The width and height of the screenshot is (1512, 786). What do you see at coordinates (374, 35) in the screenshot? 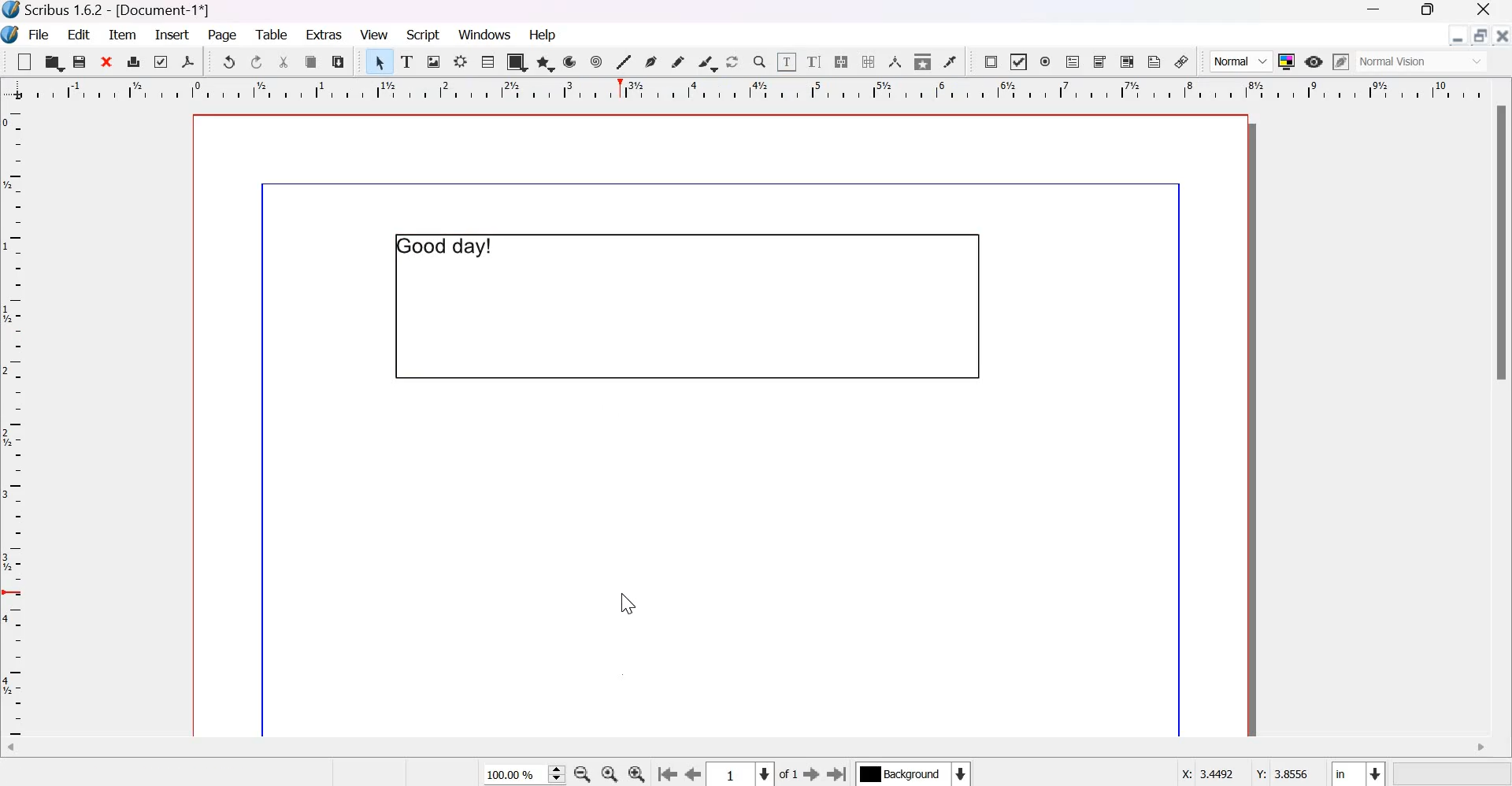
I see `View` at bounding box center [374, 35].